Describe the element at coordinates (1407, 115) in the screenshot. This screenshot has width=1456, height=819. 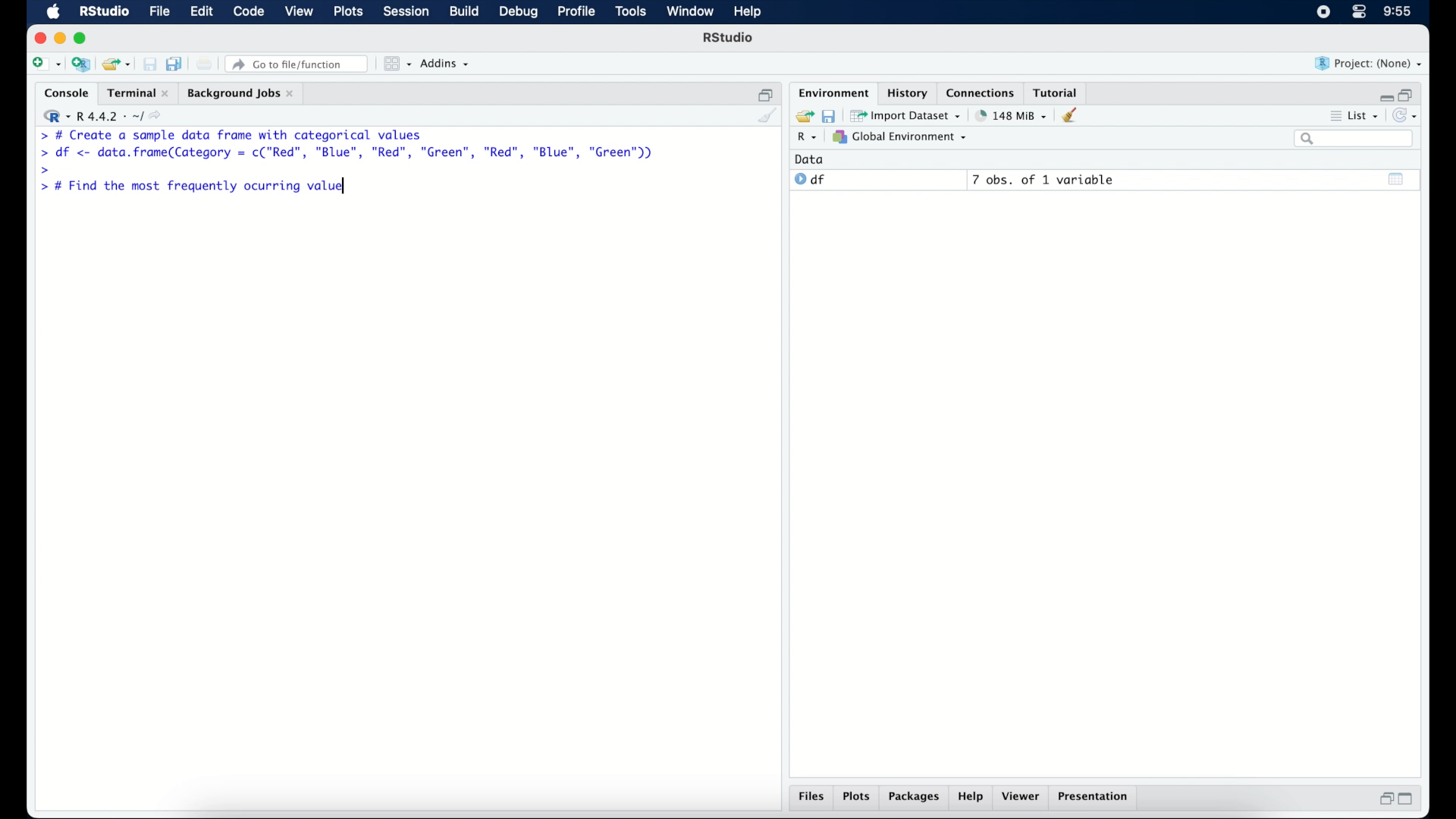
I see `refresh` at that location.